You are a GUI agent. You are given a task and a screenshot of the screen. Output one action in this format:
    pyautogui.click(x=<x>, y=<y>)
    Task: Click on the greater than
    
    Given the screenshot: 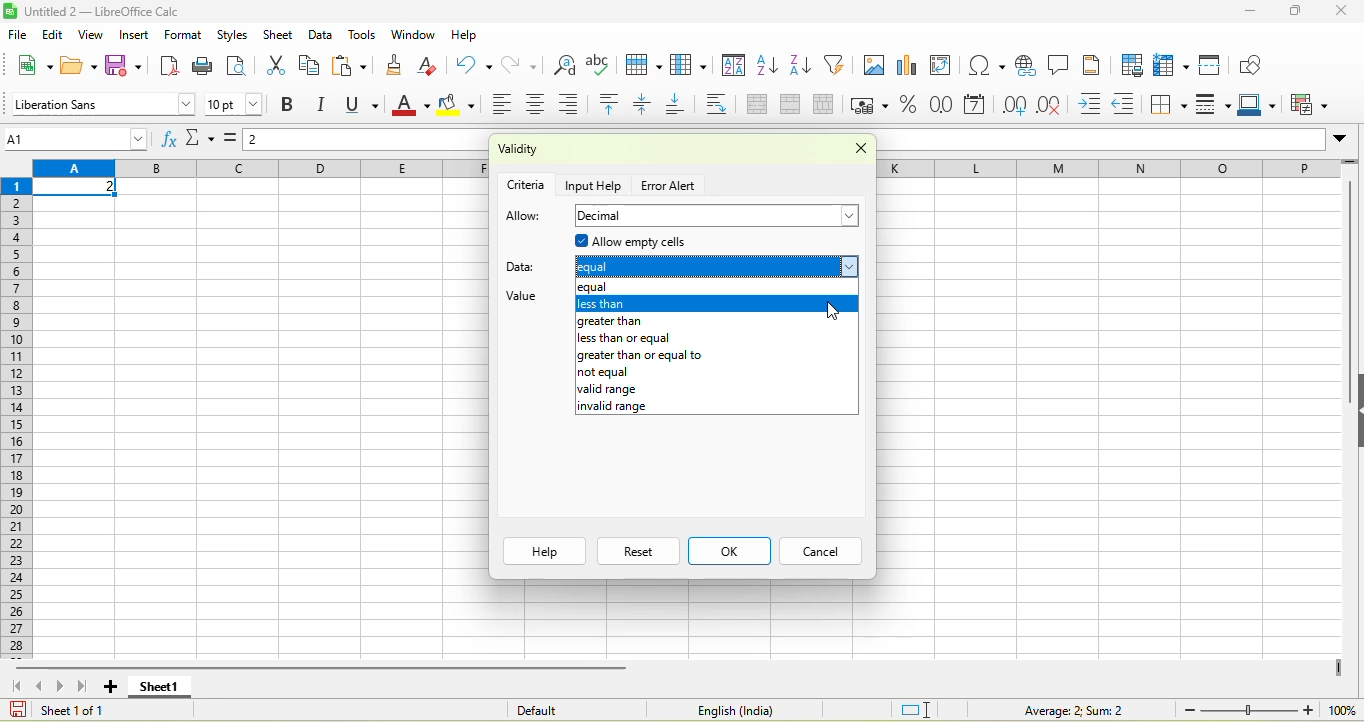 What is the action you would take?
    pyautogui.click(x=717, y=321)
    